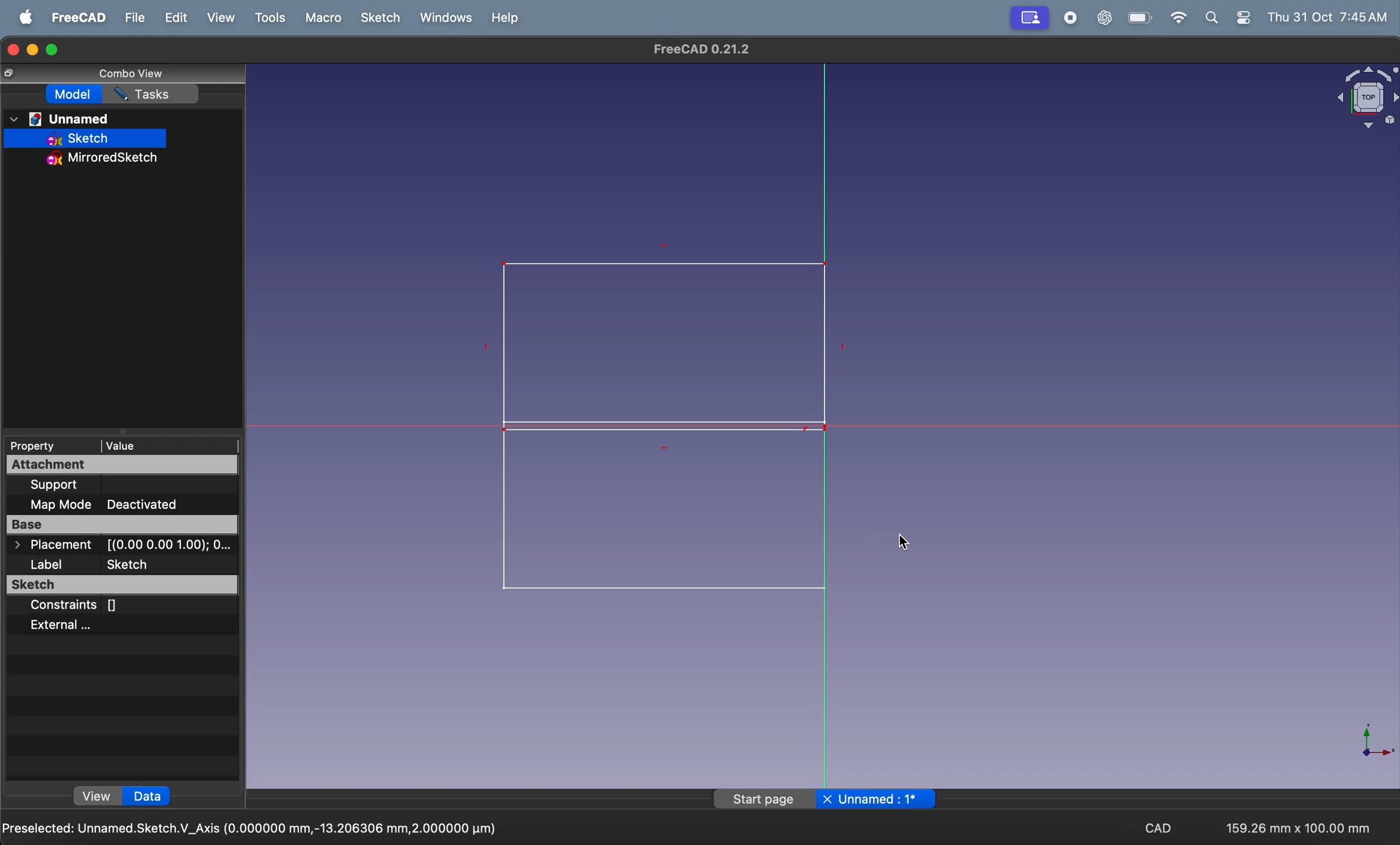 The image size is (1400, 845). I want to click on constraints, so click(119, 606).